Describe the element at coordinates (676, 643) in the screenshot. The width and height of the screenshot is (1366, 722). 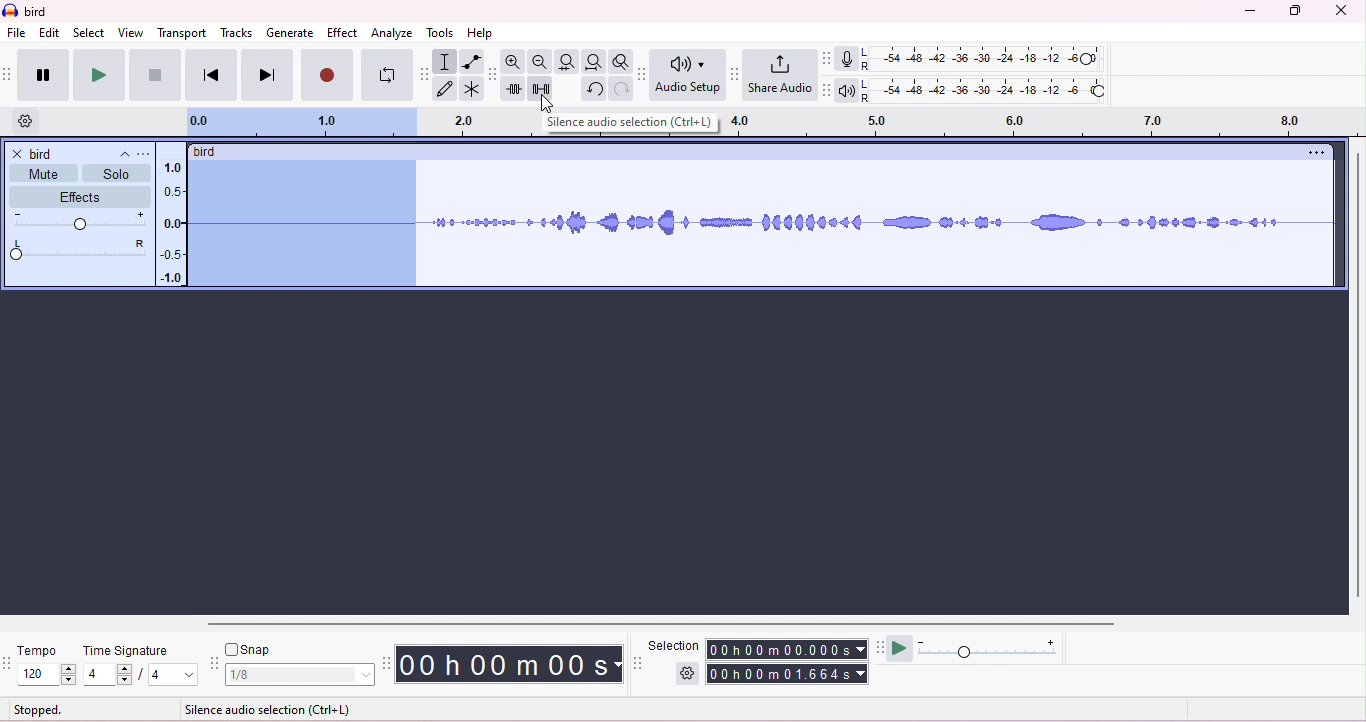
I see `selection` at that location.